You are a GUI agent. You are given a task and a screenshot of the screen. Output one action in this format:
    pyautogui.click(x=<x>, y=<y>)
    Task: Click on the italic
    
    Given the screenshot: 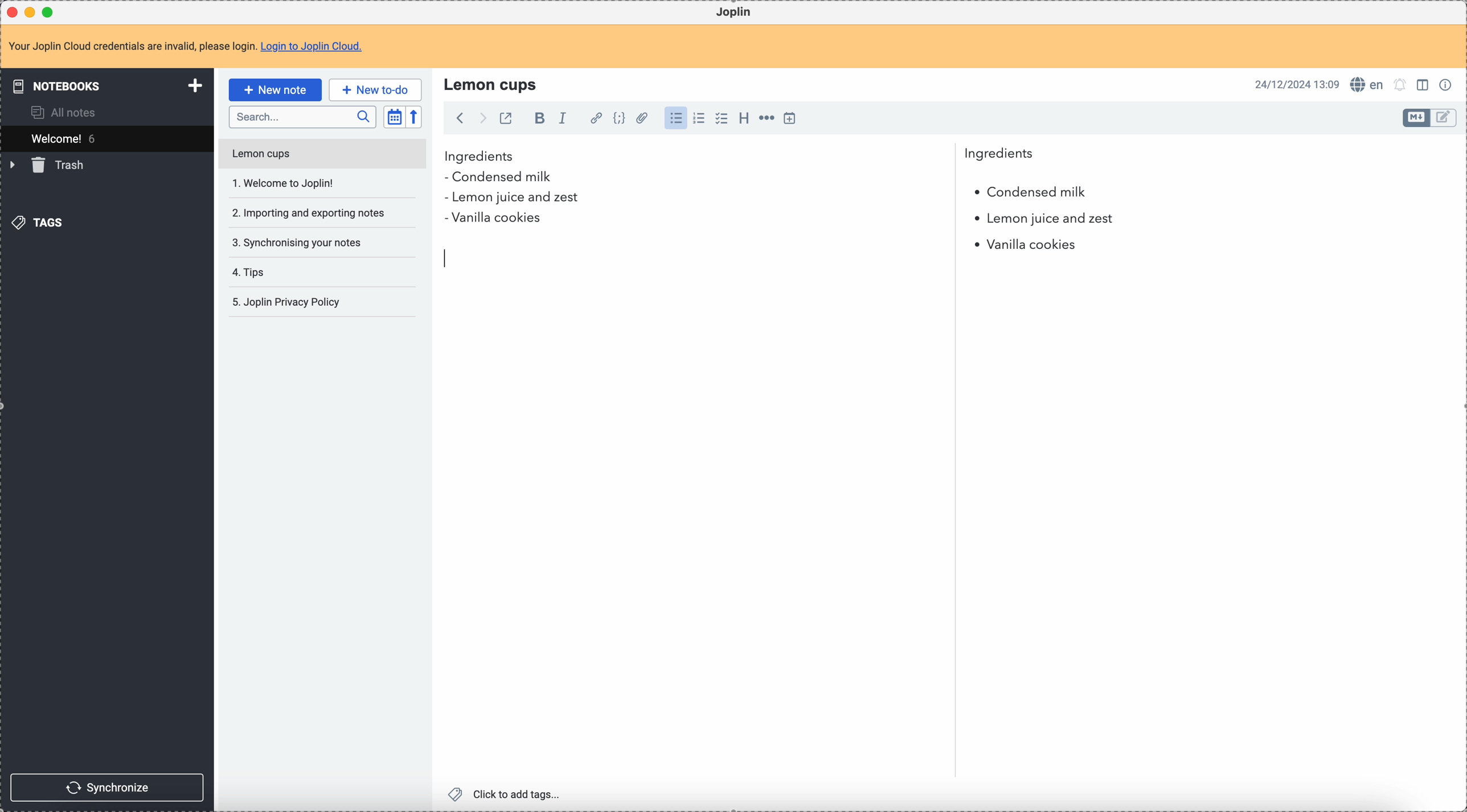 What is the action you would take?
    pyautogui.click(x=562, y=117)
    